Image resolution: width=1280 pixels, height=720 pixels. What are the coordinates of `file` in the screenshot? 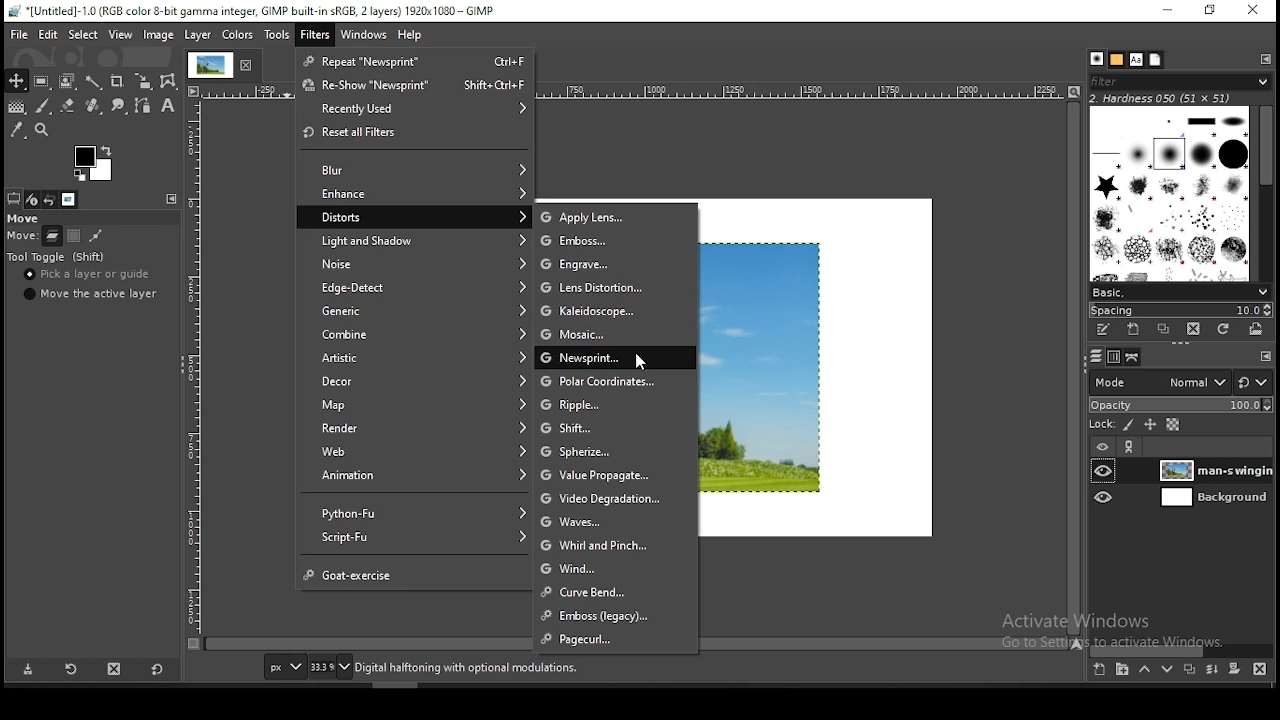 It's located at (16, 35).